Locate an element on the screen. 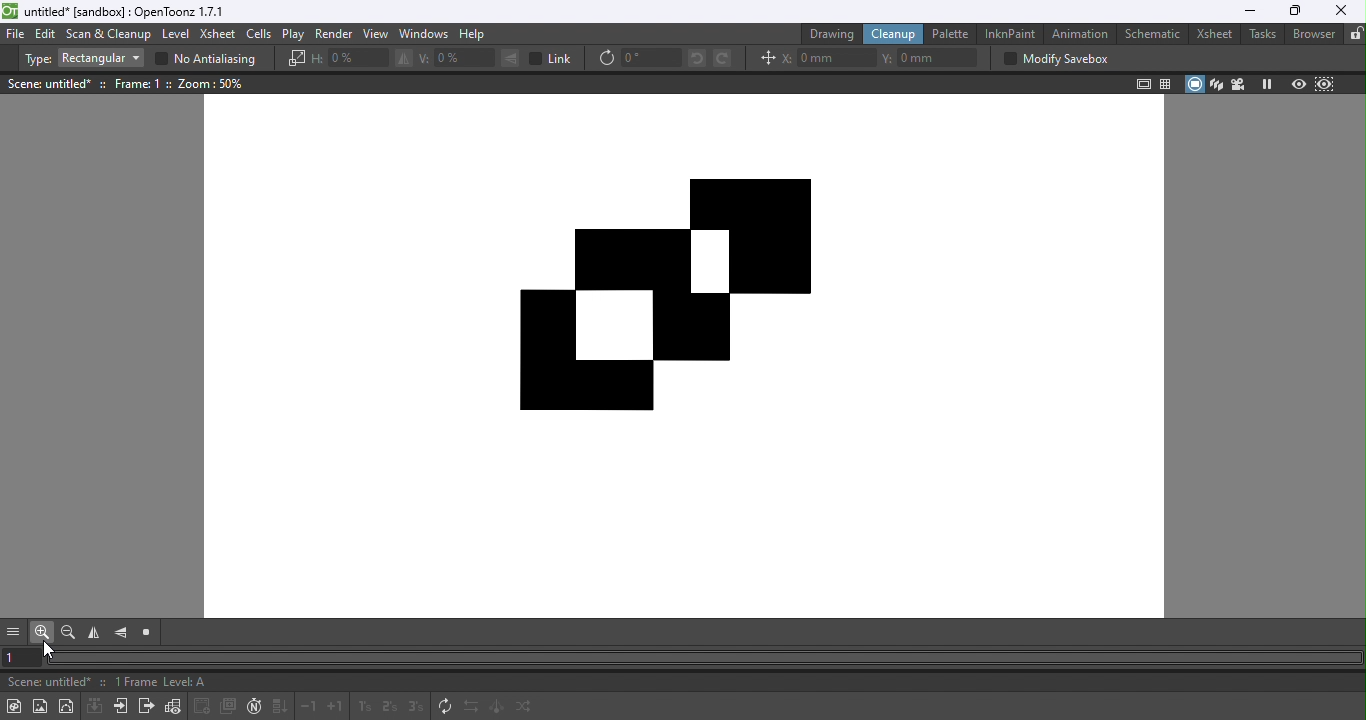 This screenshot has width=1366, height=720. Reframe on 2's is located at coordinates (386, 707).